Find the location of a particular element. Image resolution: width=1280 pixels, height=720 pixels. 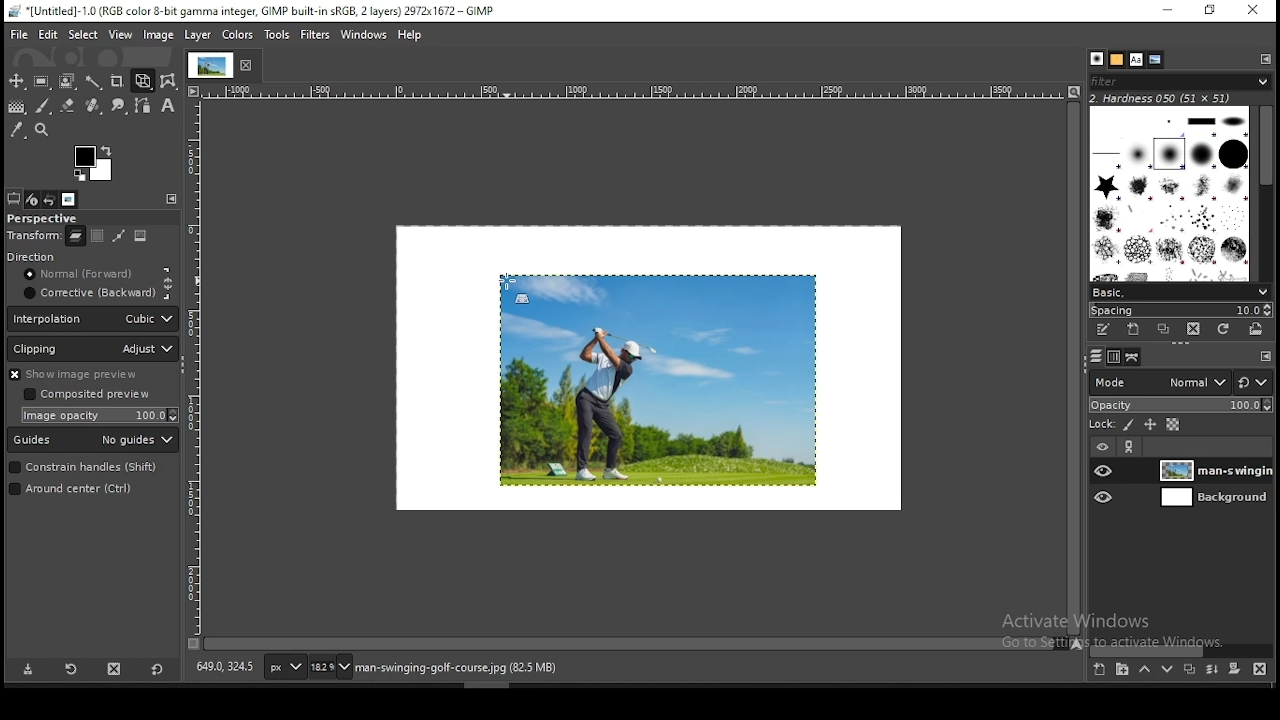

opacity is located at coordinates (1181, 406).